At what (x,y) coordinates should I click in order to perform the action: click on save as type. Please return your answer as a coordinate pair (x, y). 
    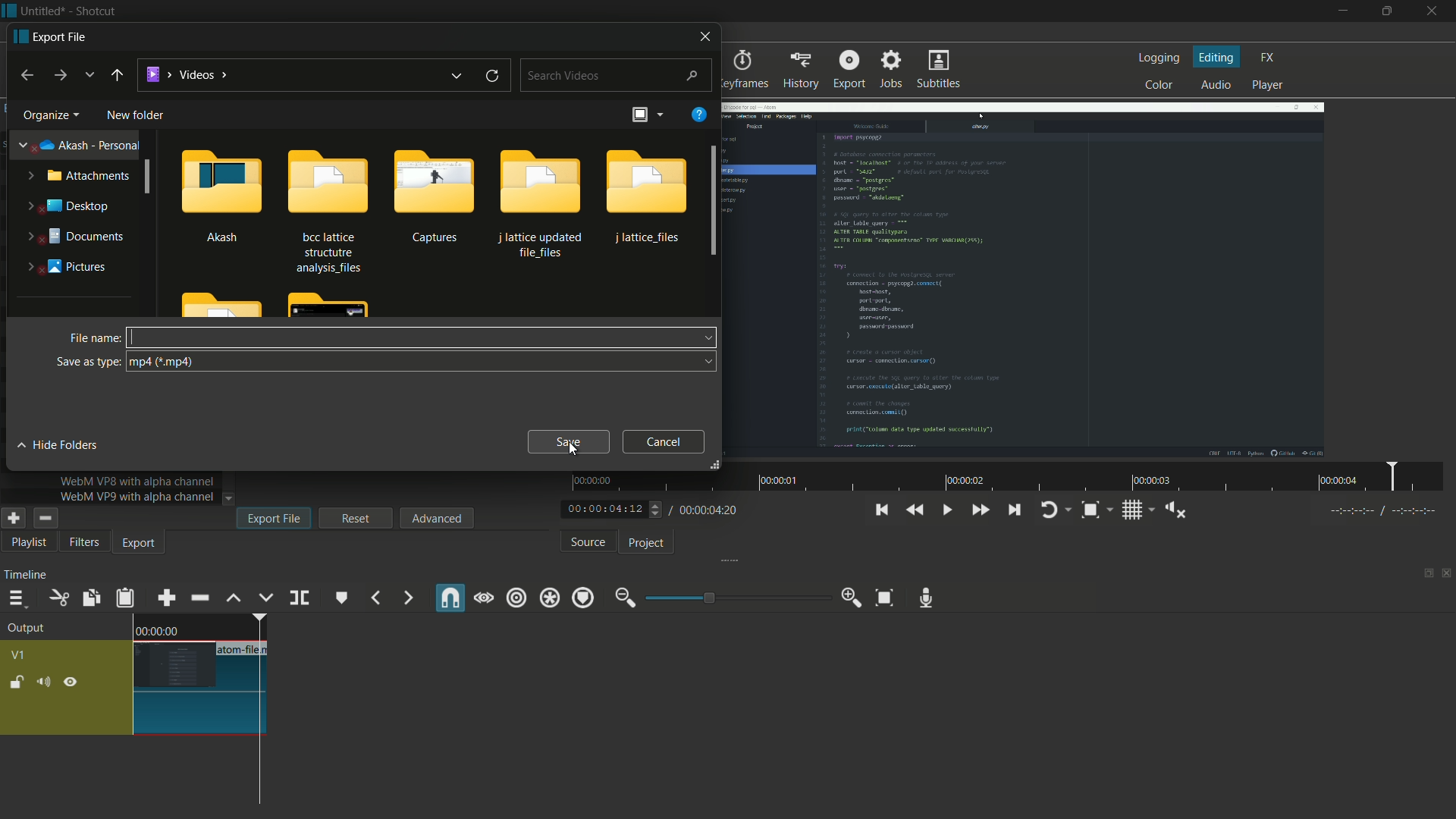
    Looking at the image, I should click on (89, 362).